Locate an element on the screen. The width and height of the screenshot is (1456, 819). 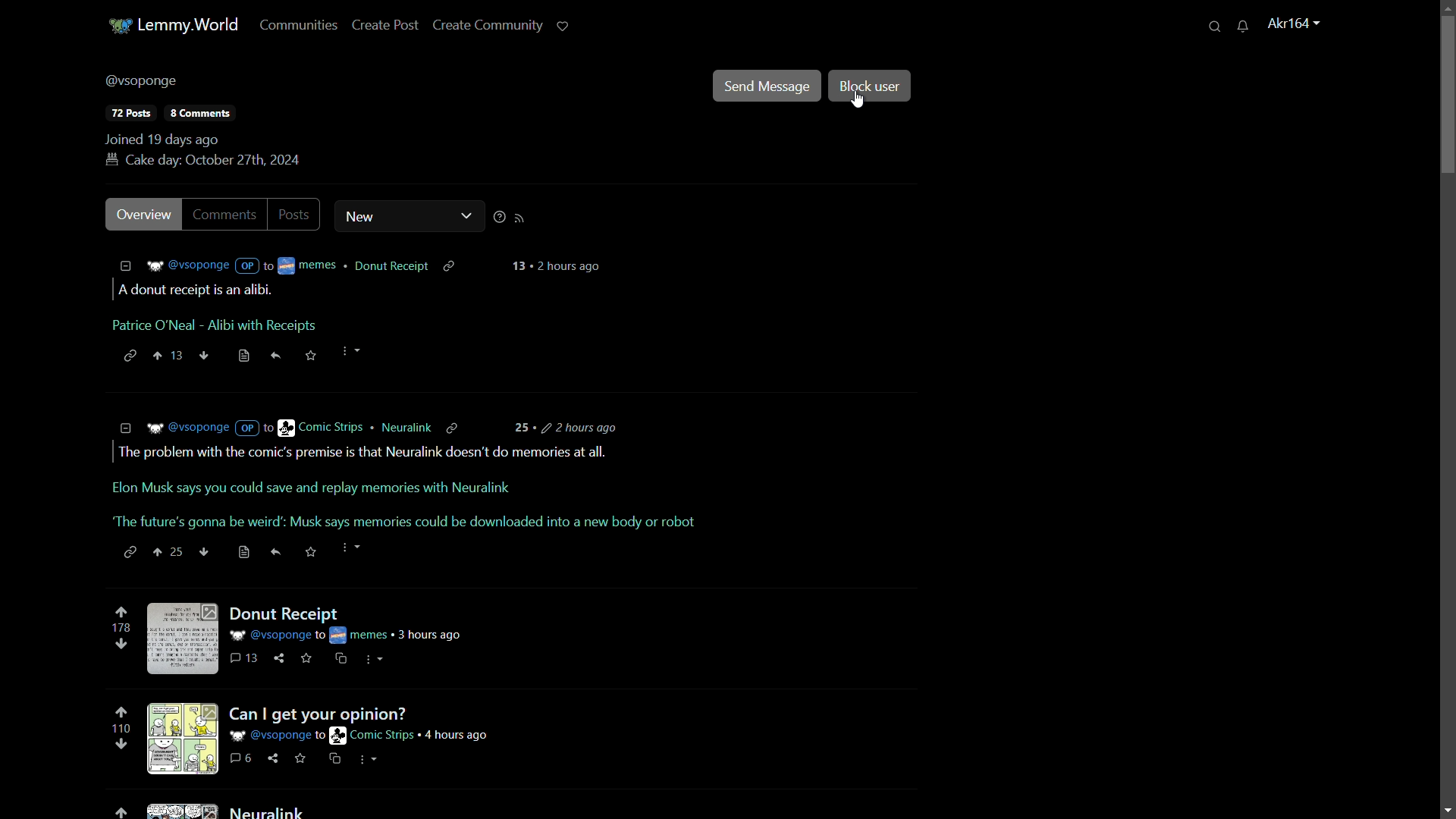
copylink is located at coordinates (457, 425).